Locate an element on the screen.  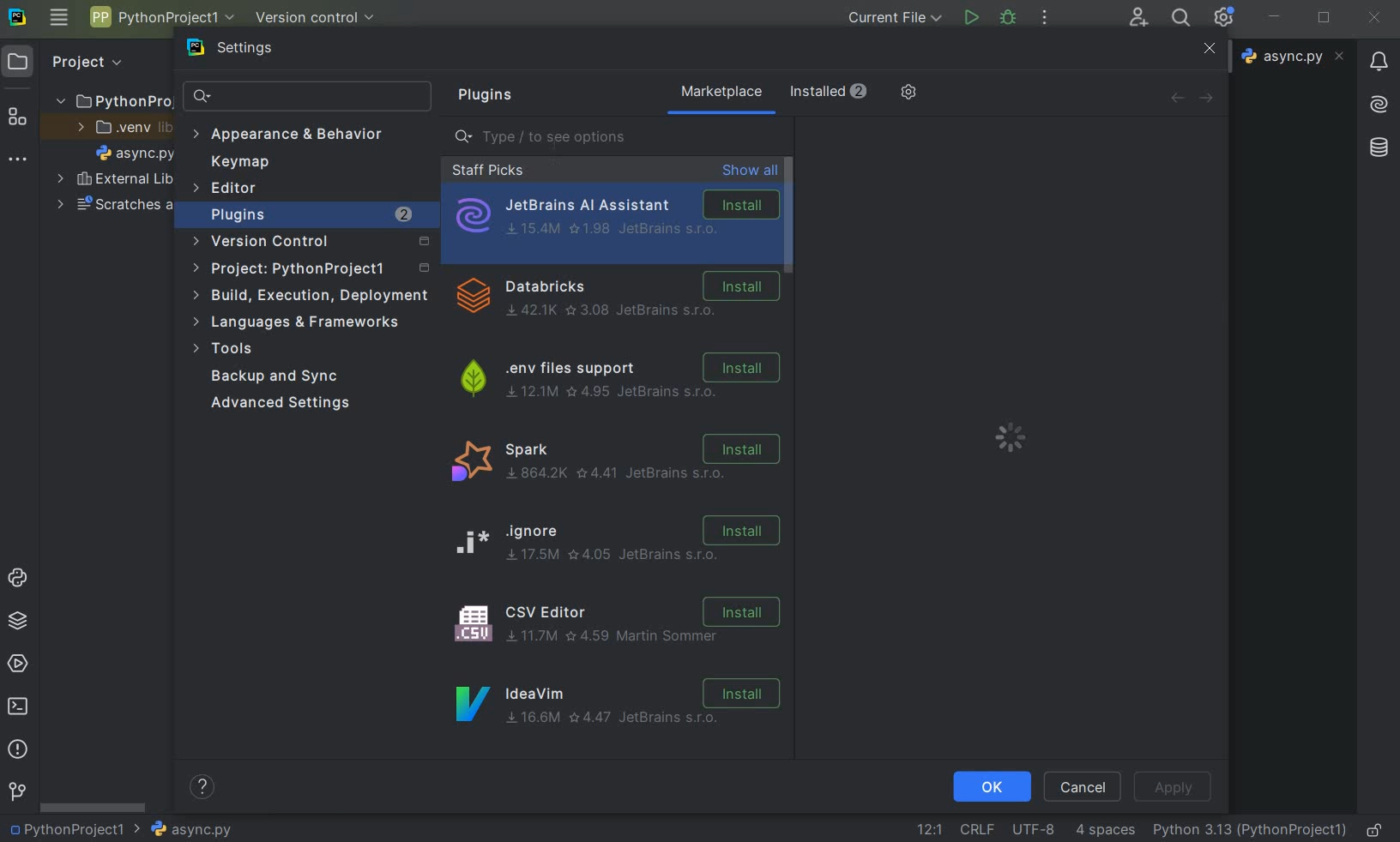
git is located at coordinates (16, 792).